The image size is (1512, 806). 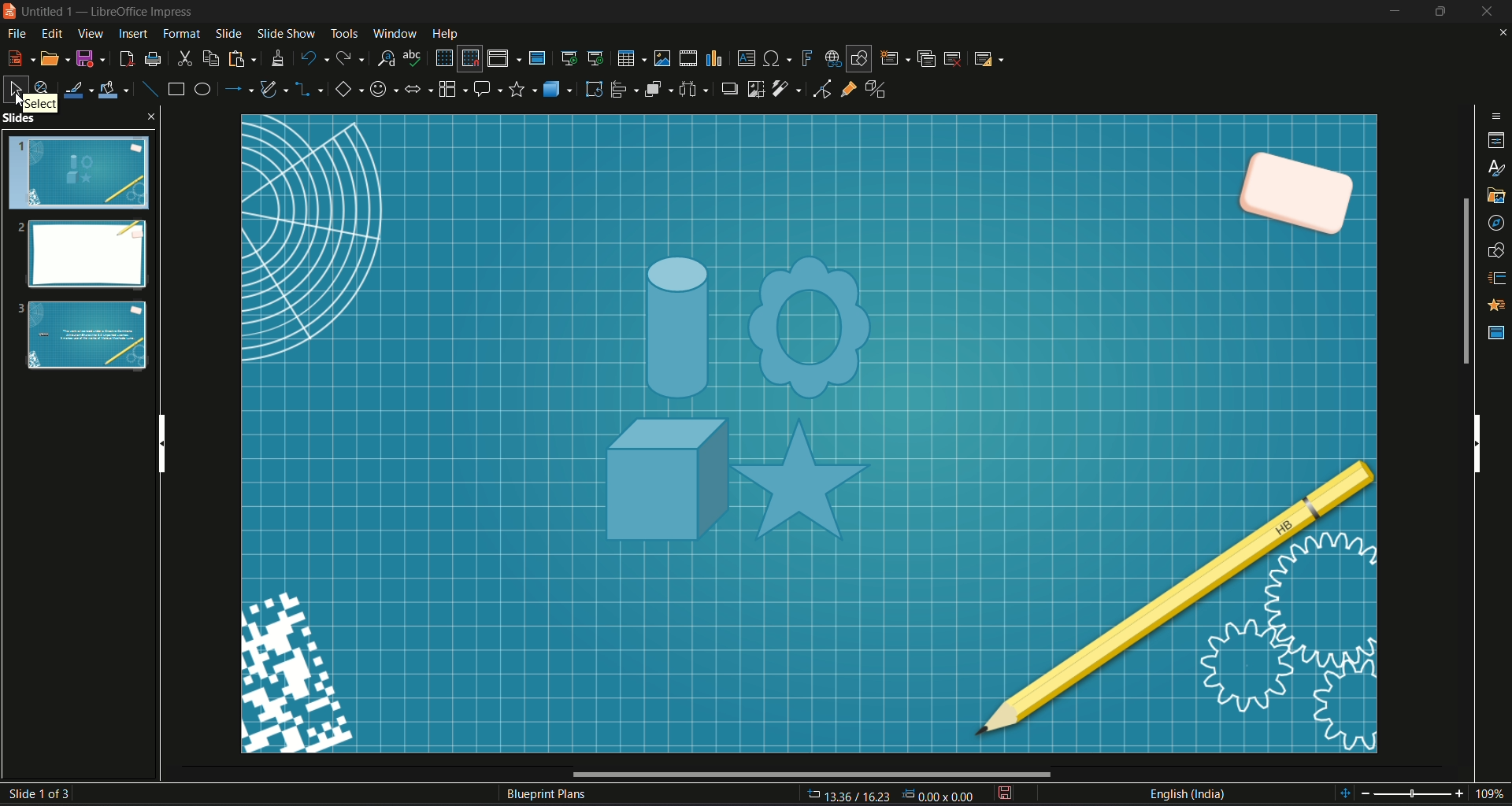 What do you see at coordinates (80, 246) in the screenshot?
I see `Slides` at bounding box center [80, 246].